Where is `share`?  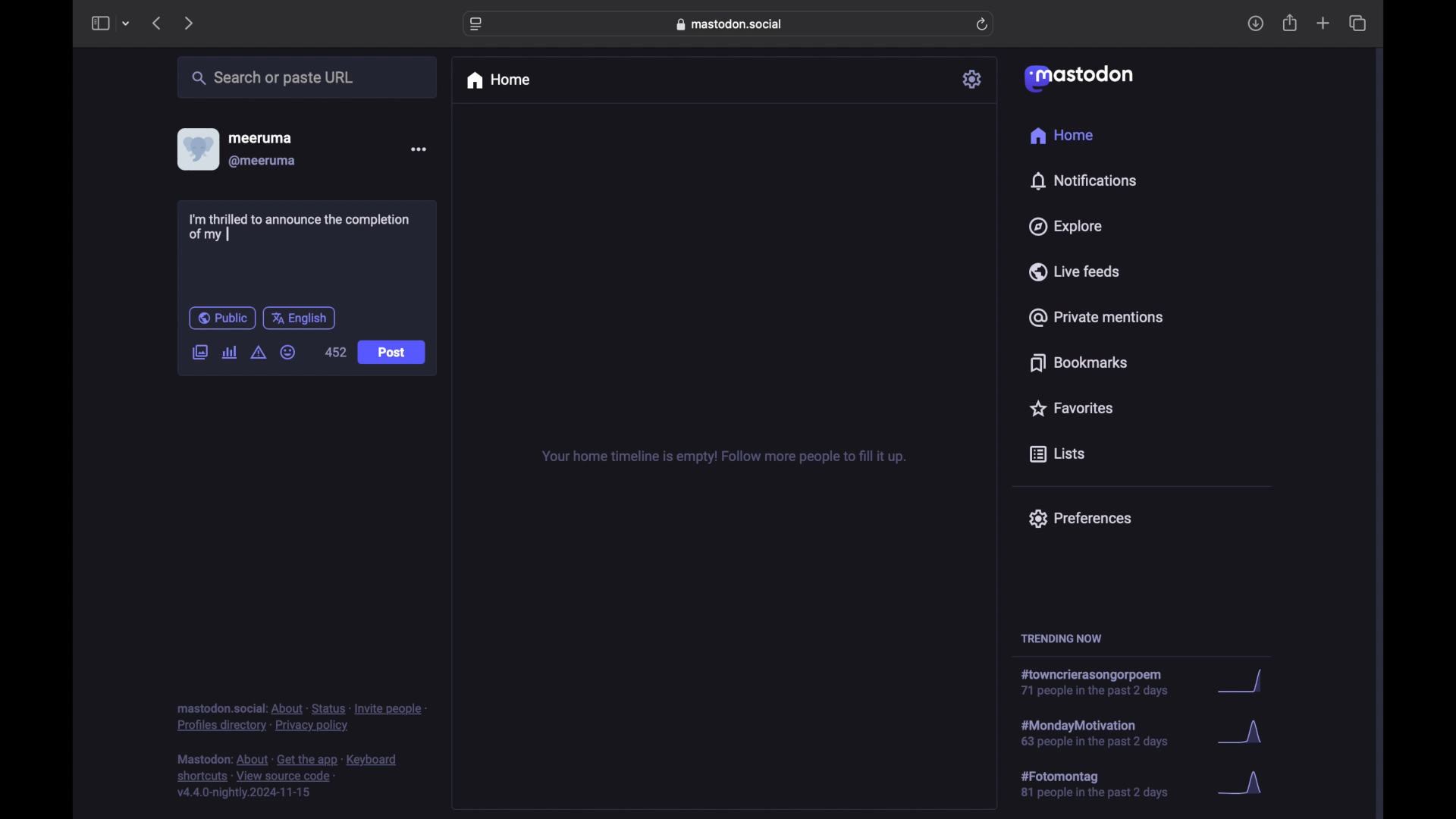 share is located at coordinates (1291, 23).